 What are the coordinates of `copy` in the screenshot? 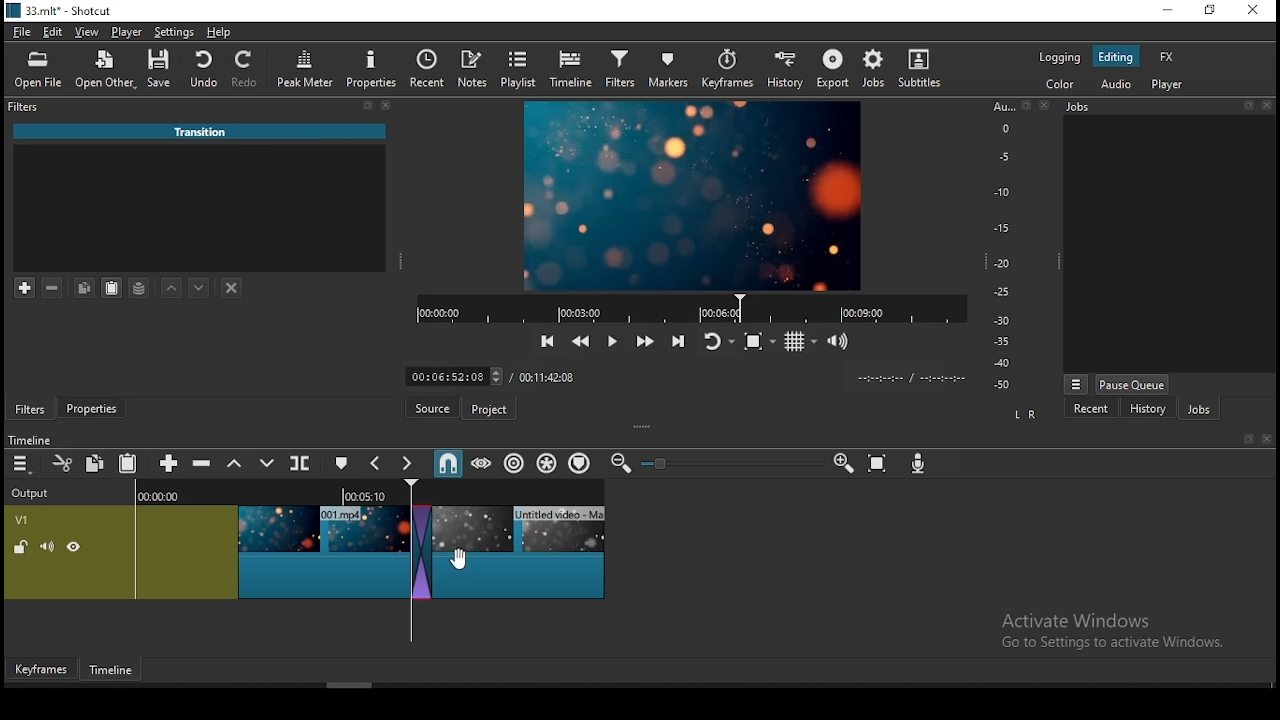 It's located at (95, 465).